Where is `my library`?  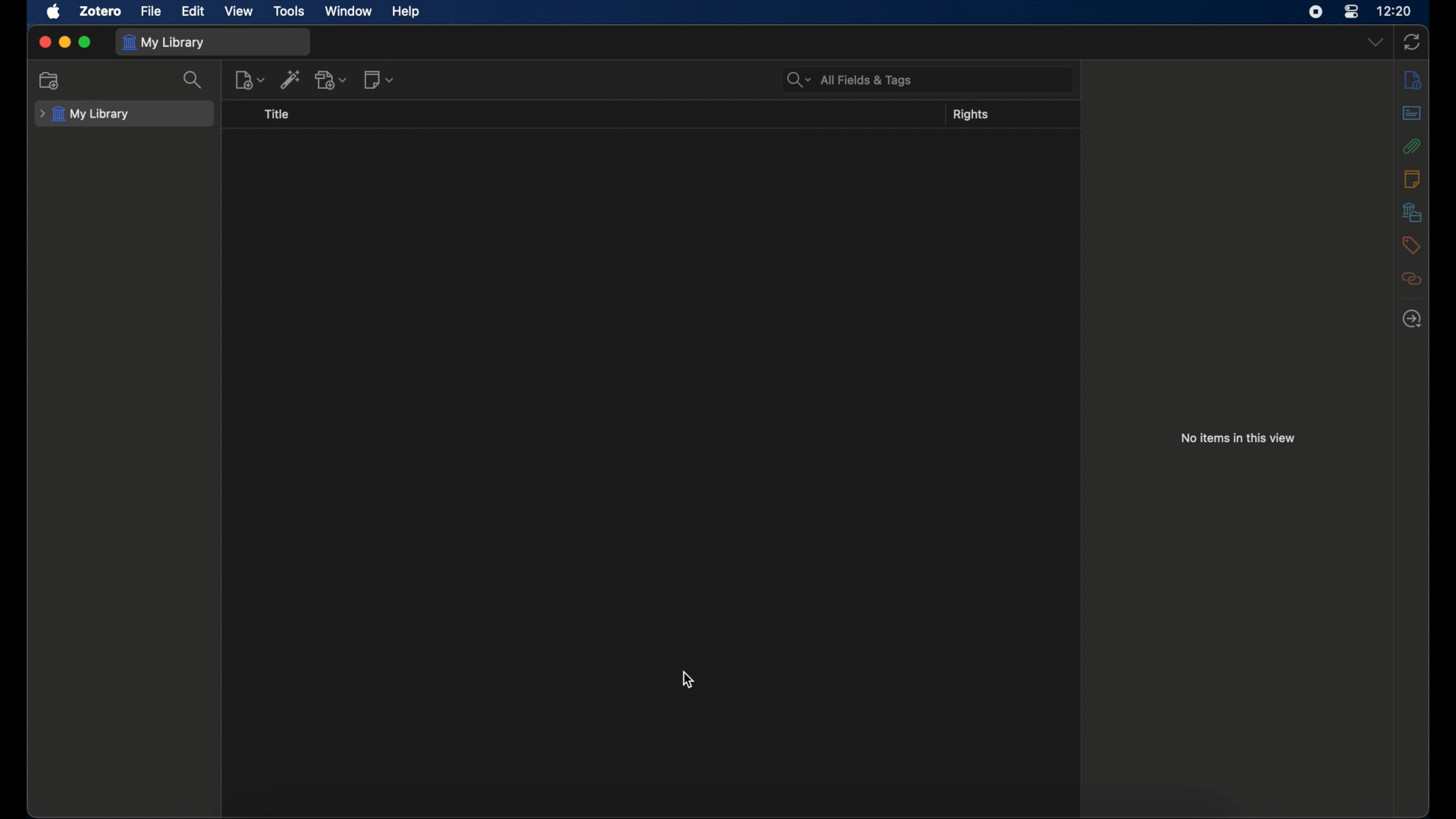 my library is located at coordinates (83, 115).